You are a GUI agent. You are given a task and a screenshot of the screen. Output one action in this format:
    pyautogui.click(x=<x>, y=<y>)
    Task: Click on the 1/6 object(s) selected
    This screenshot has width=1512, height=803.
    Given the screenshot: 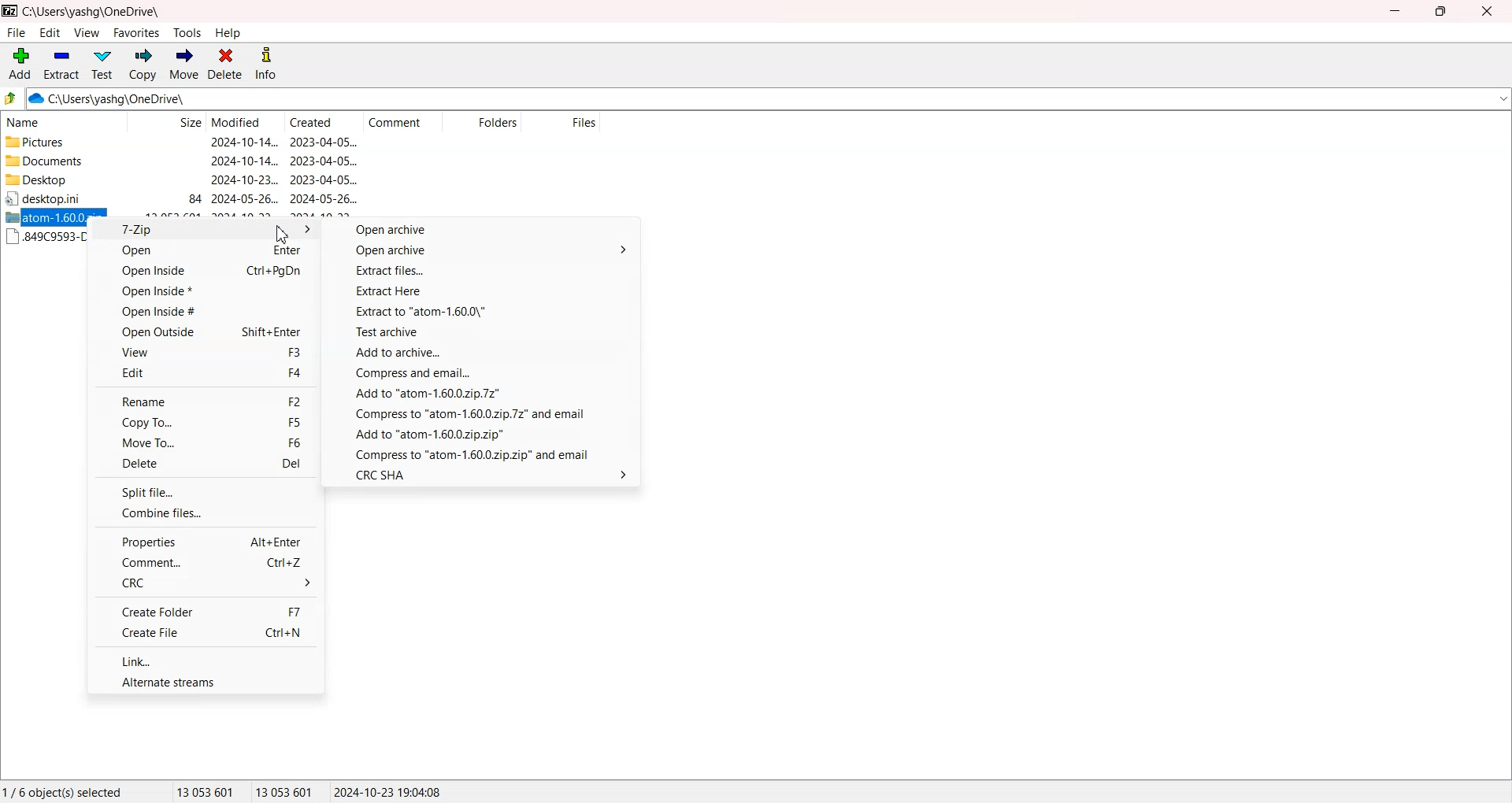 What is the action you would take?
    pyautogui.click(x=62, y=791)
    